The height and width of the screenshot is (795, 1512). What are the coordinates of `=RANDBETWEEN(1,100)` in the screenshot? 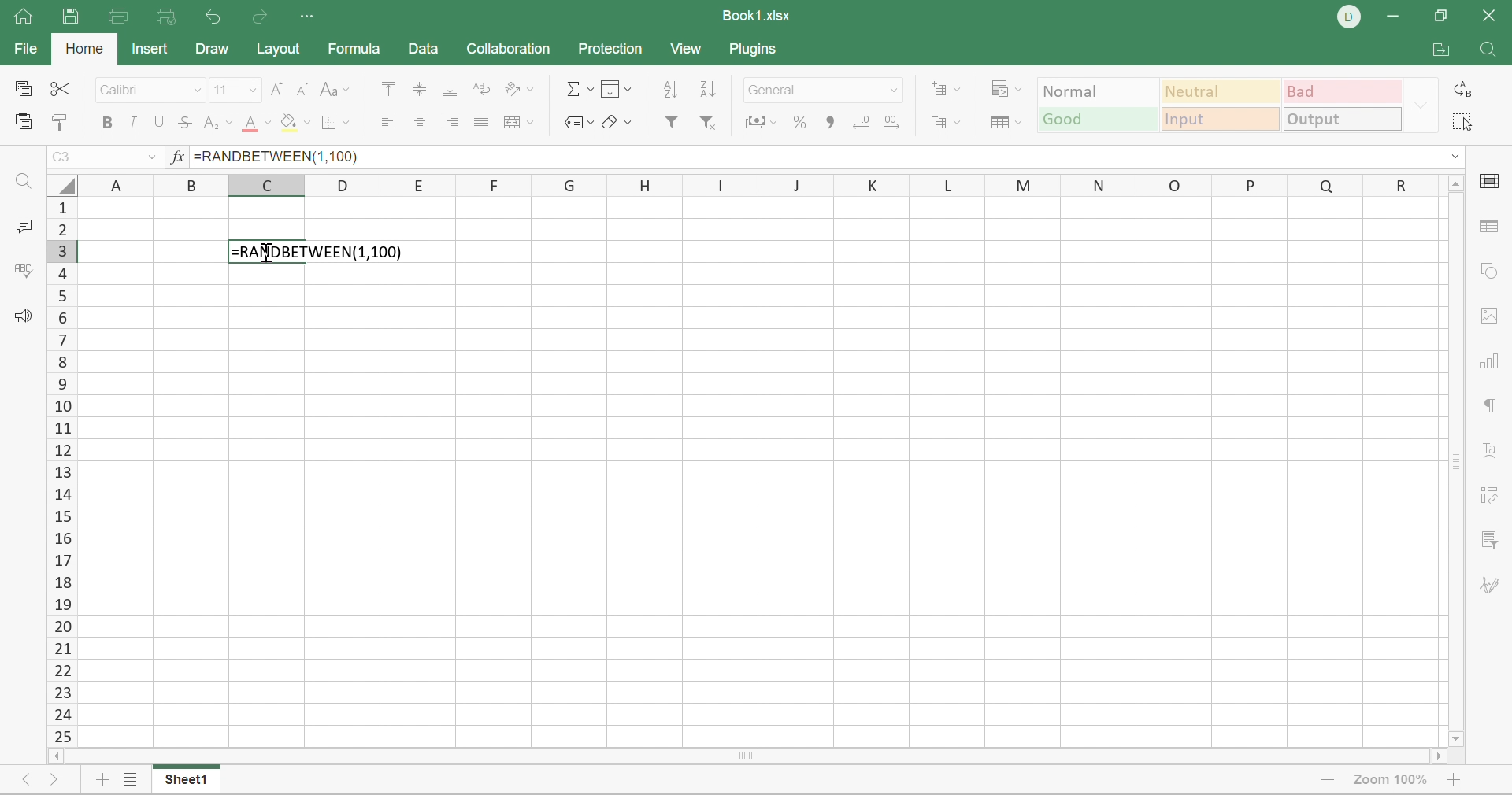 It's located at (277, 157).